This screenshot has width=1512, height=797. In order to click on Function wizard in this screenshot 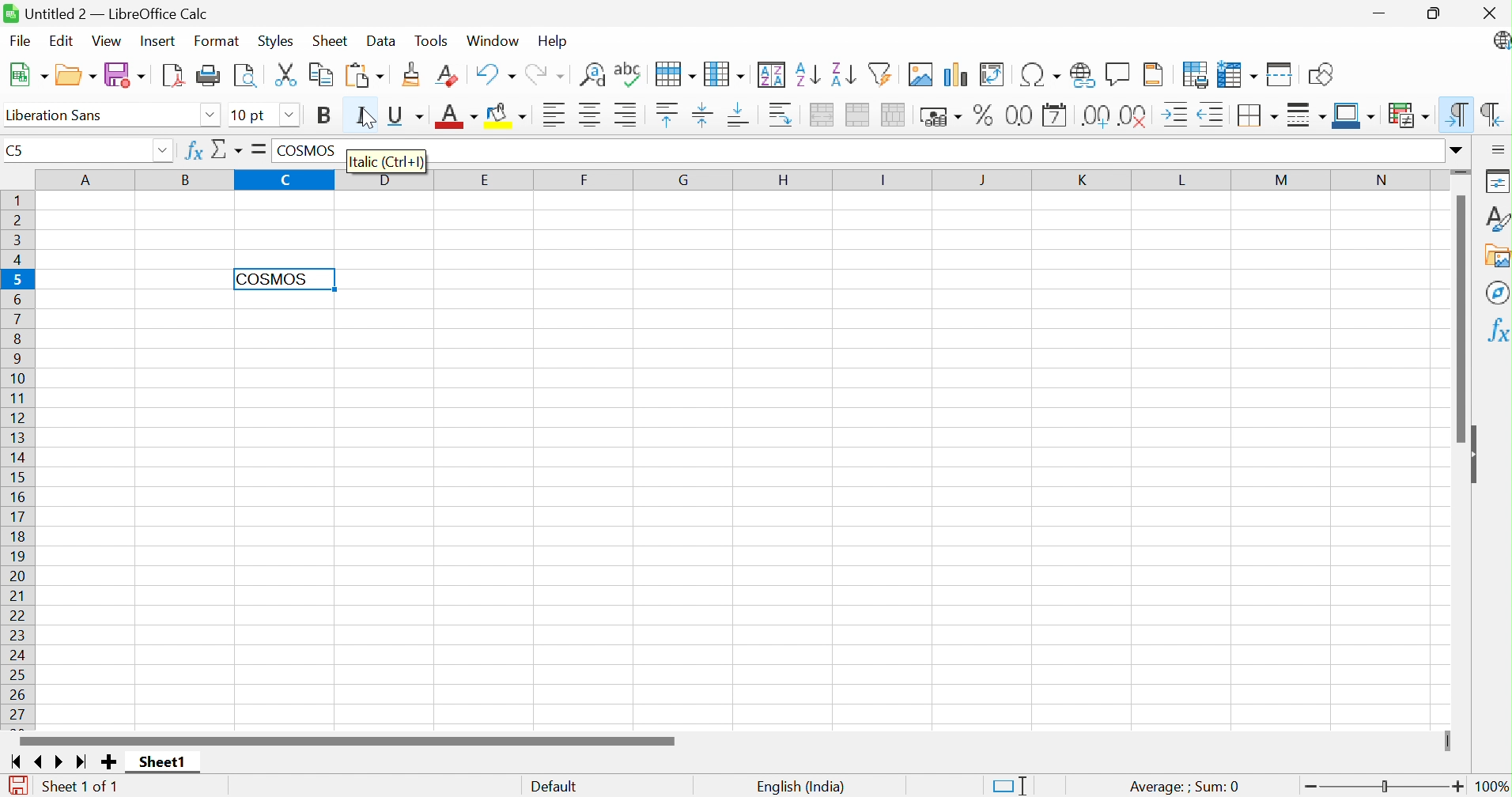, I will do `click(192, 151)`.